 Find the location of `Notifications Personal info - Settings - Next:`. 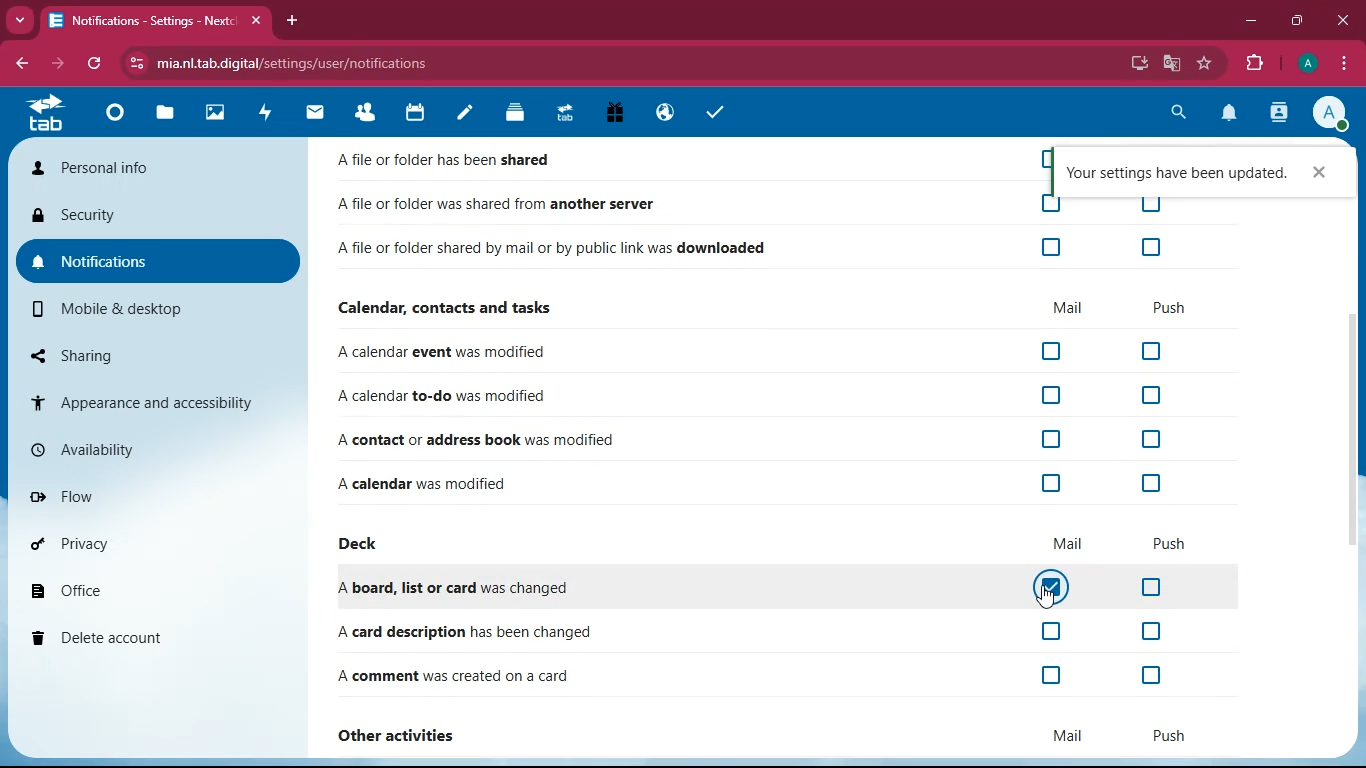

Notifications Personal info - Settings - Next: is located at coordinates (140, 21).